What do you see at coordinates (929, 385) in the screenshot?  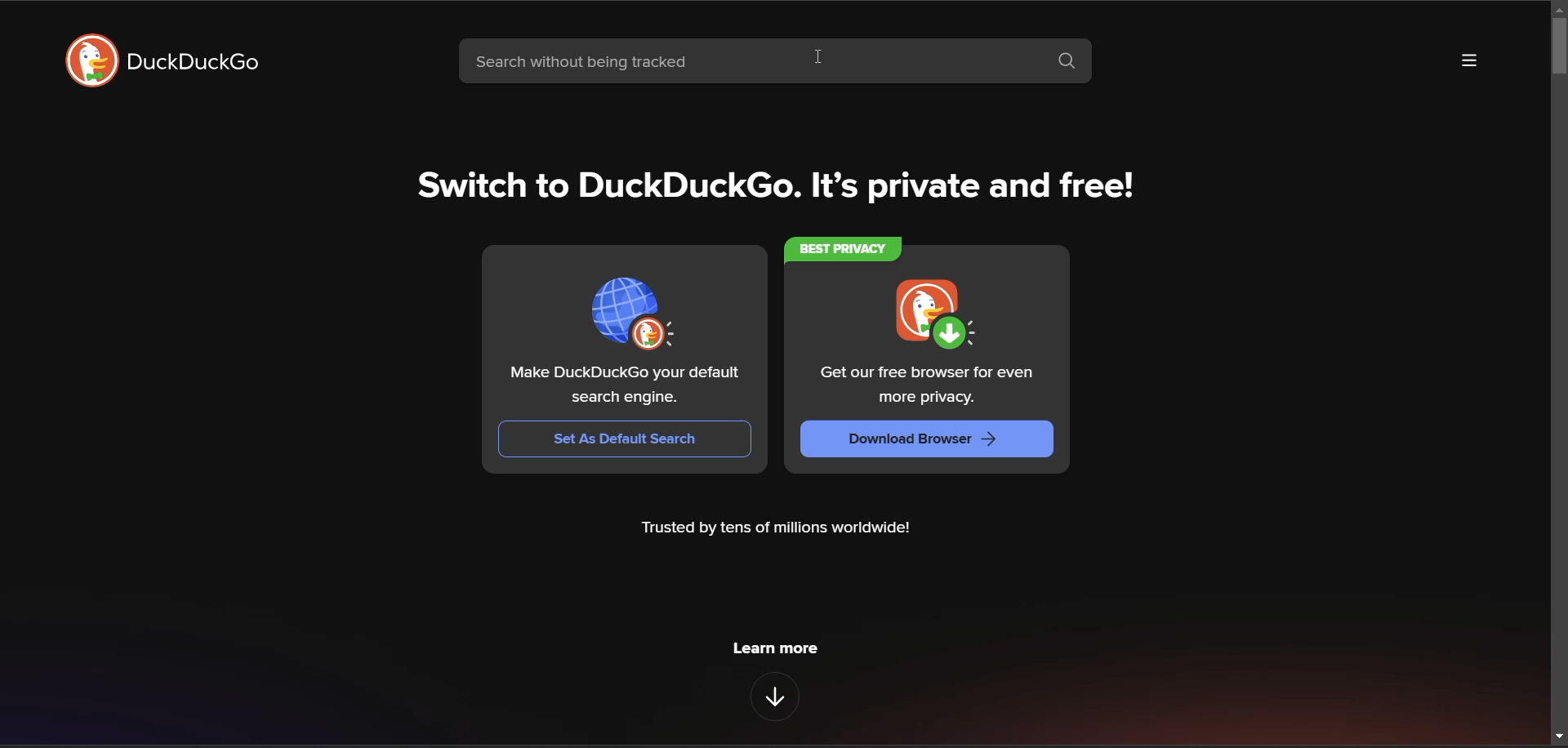 I see `Get our free browser for even more privacy.` at bounding box center [929, 385].